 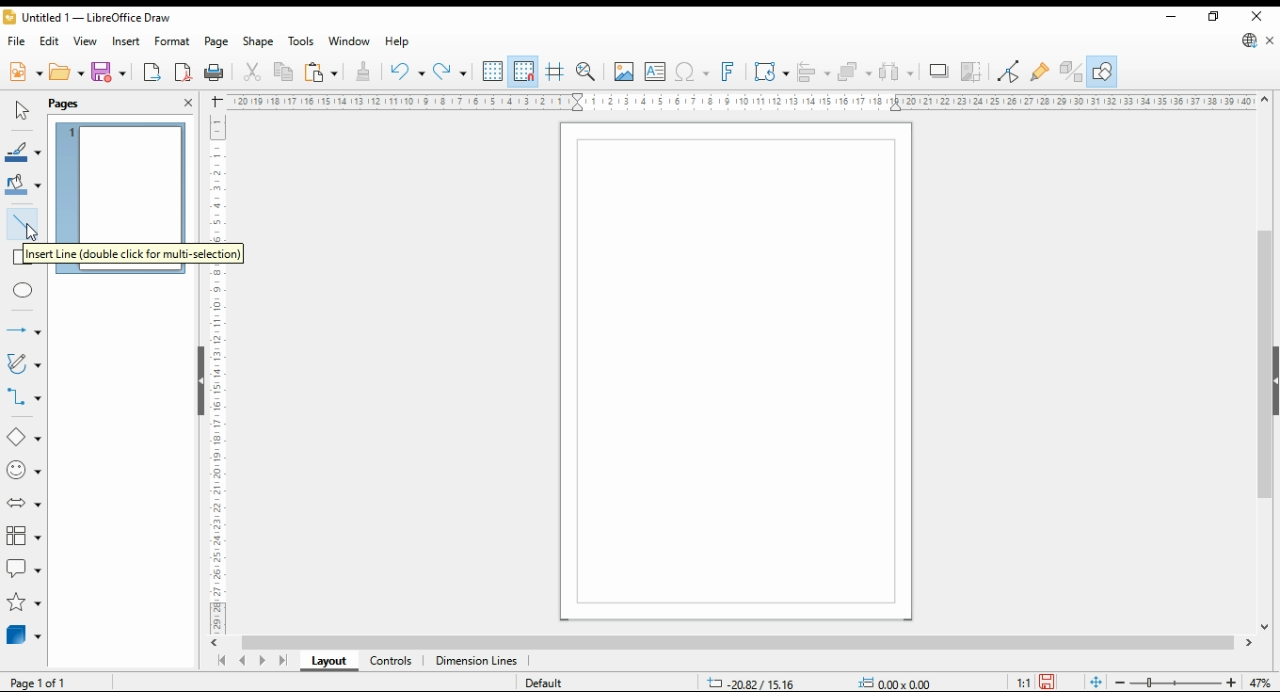 I want to click on crop, so click(x=974, y=72).